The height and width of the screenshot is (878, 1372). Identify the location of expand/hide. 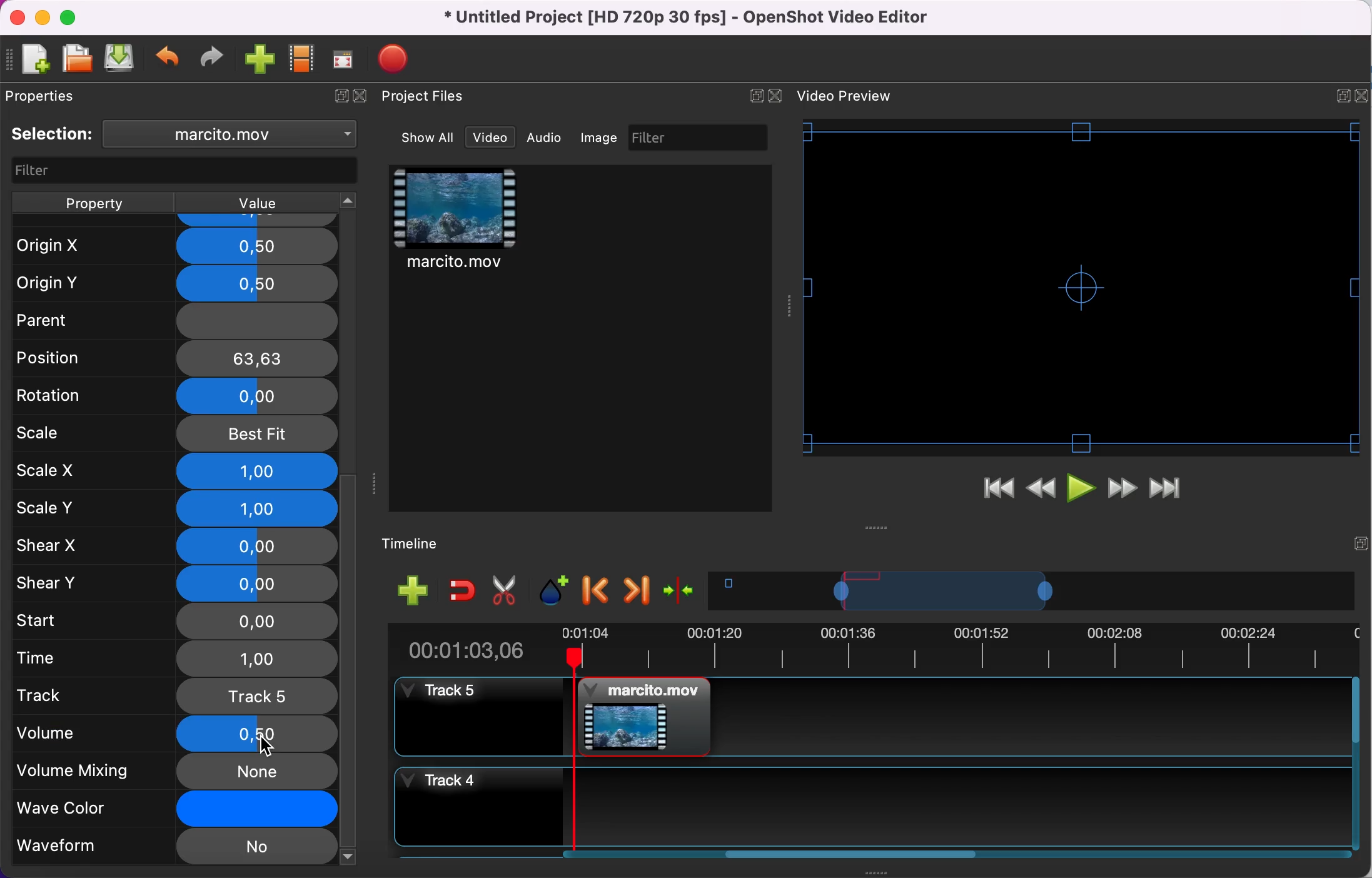
(338, 97).